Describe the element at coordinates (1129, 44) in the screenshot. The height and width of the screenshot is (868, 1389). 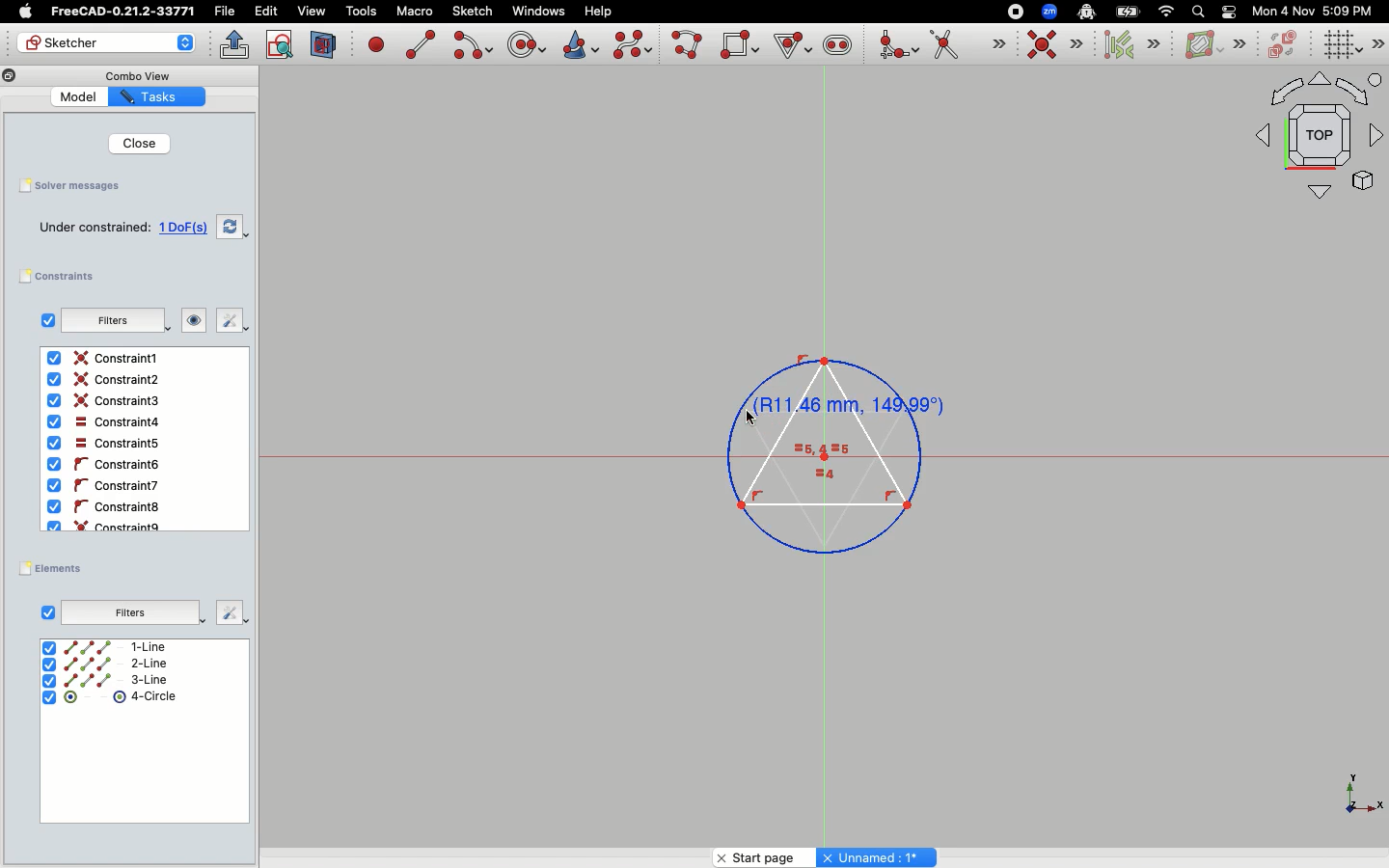
I see `Select associated constraints` at that location.